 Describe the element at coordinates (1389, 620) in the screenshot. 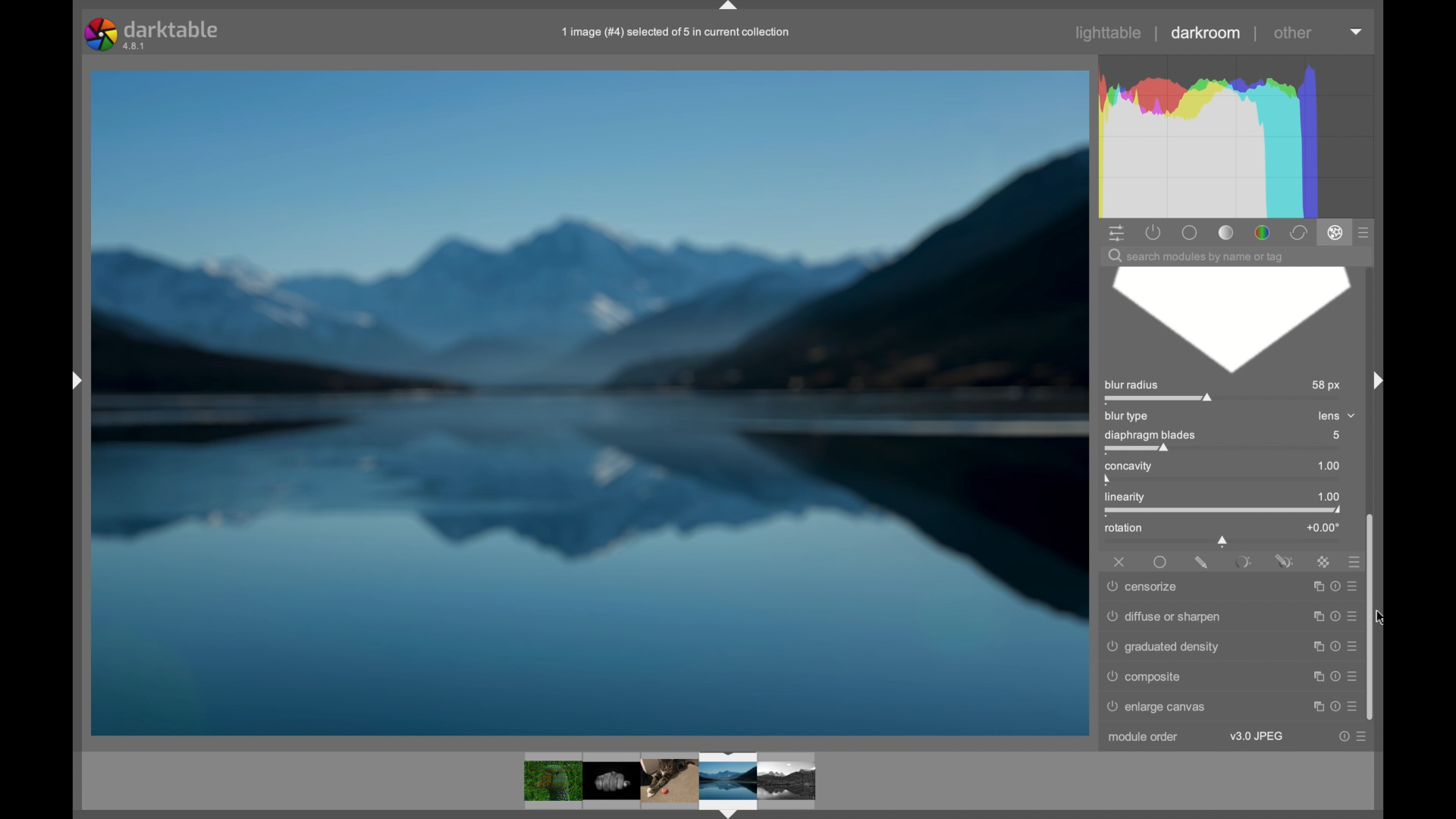

I see `cursor` at that location.